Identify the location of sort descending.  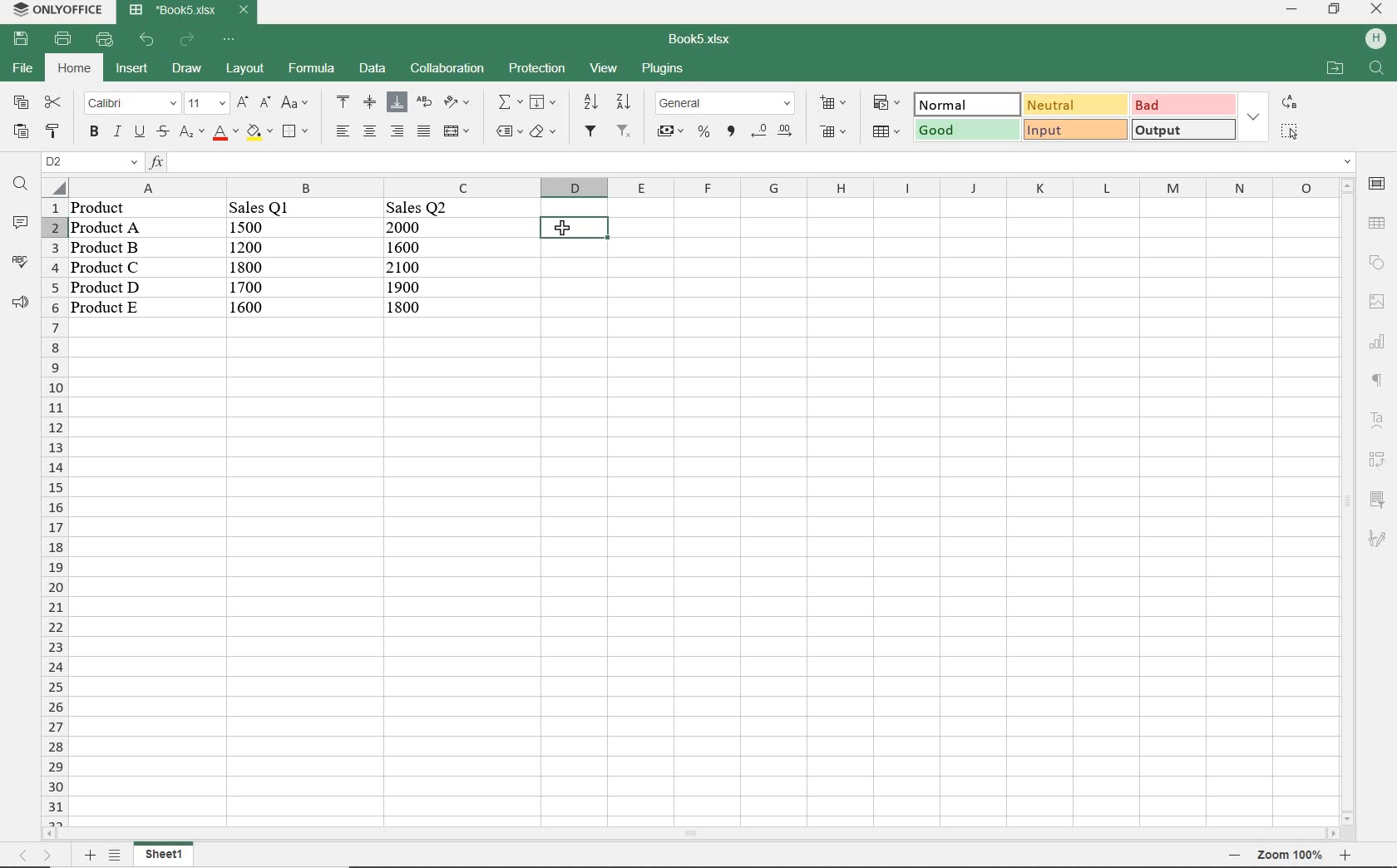
(624, 101).